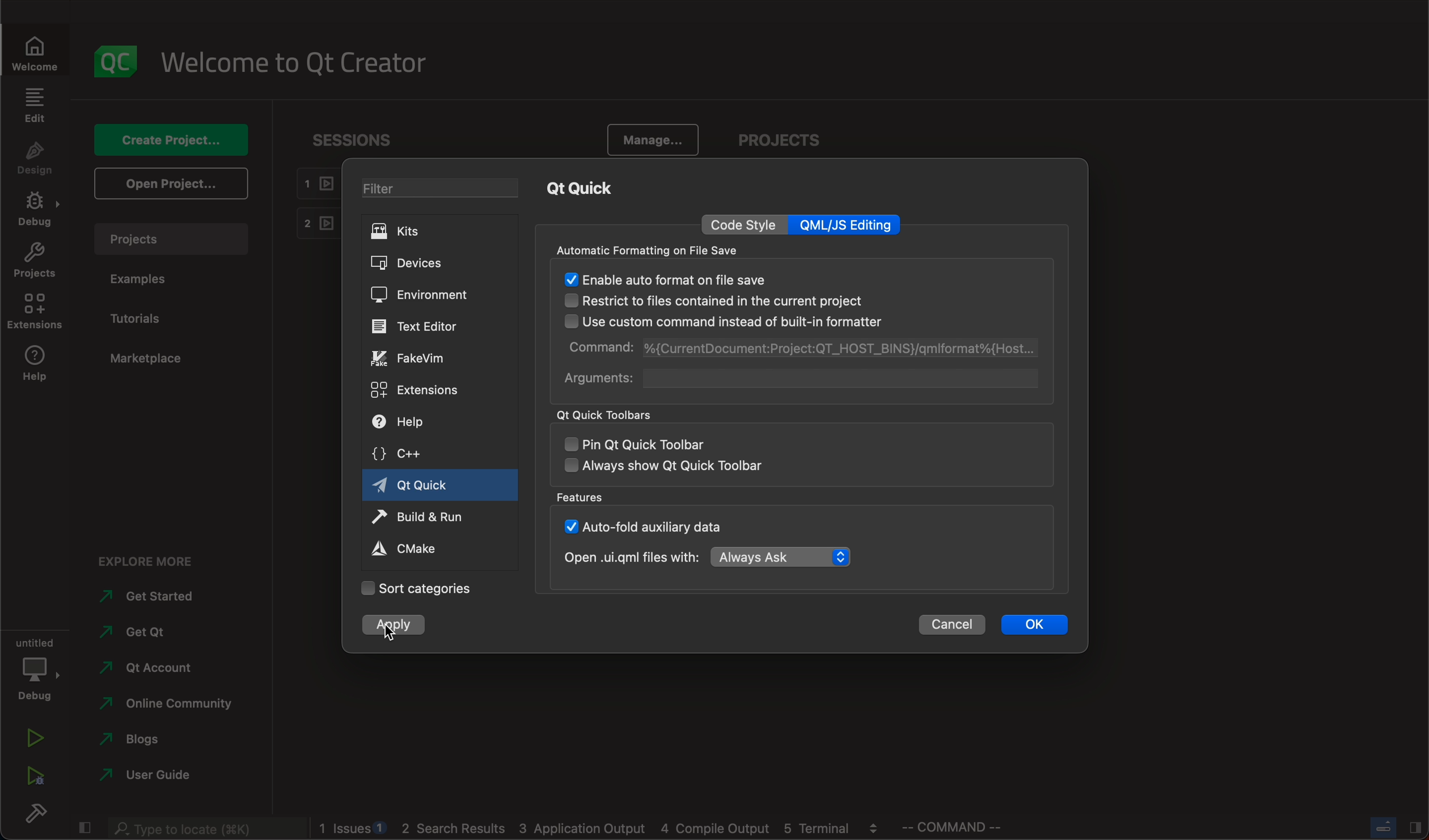  I want to click on categories, so click(422, 589).